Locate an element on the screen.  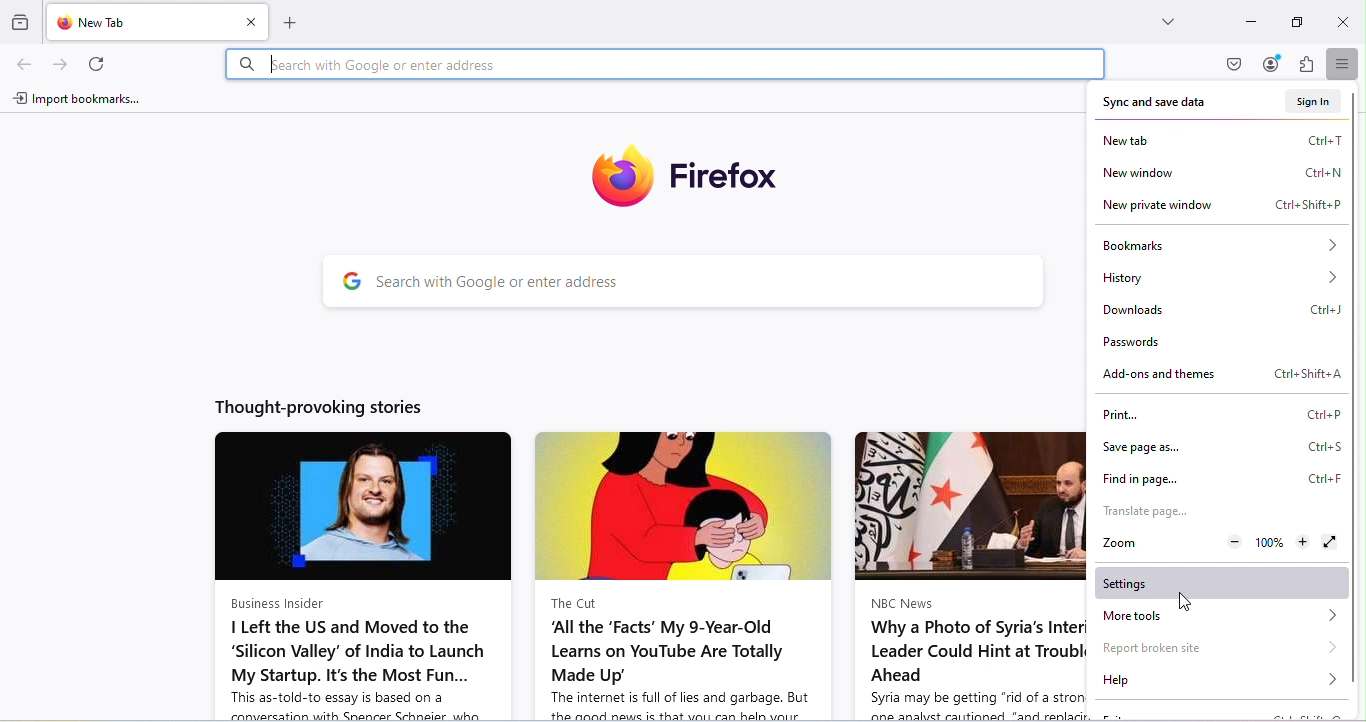
New window is located at coordinates (1219, 172).